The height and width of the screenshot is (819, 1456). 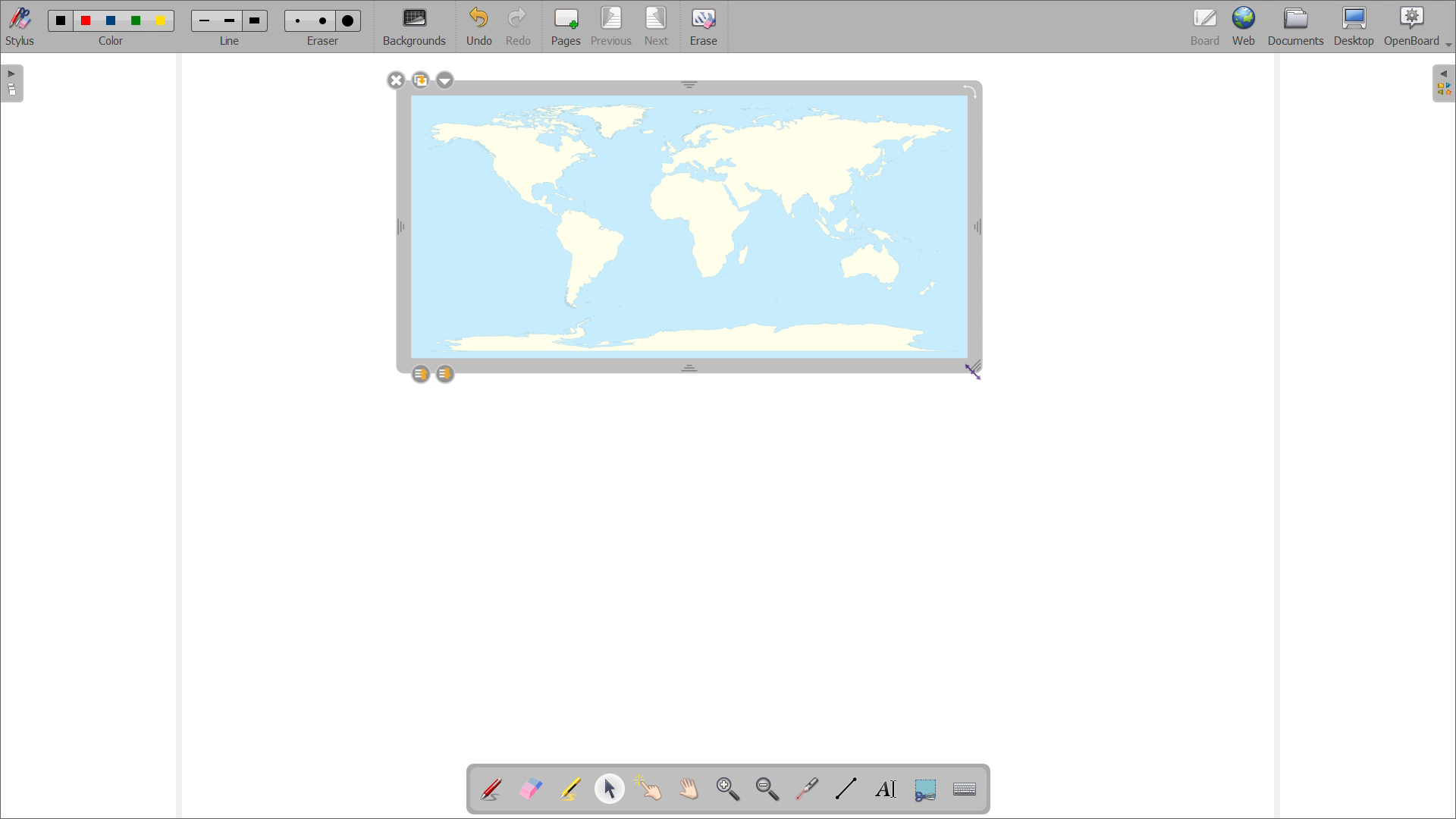 What do you see at coordinates (61, 20) in the screenshot?
I see `black` at bounding box center [61, 20].